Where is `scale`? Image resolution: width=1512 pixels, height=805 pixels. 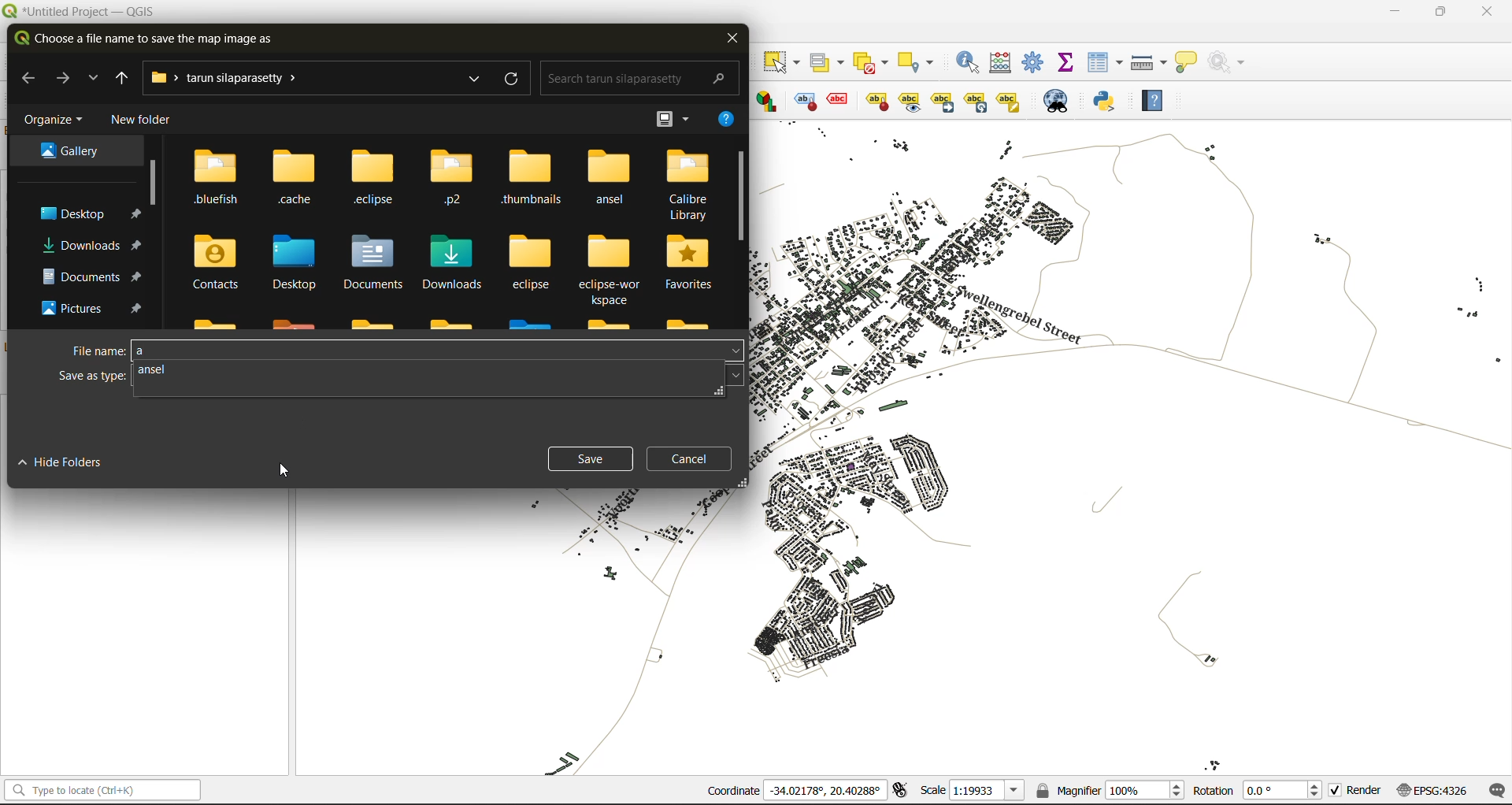 scale is located at coordinates (968, 791).